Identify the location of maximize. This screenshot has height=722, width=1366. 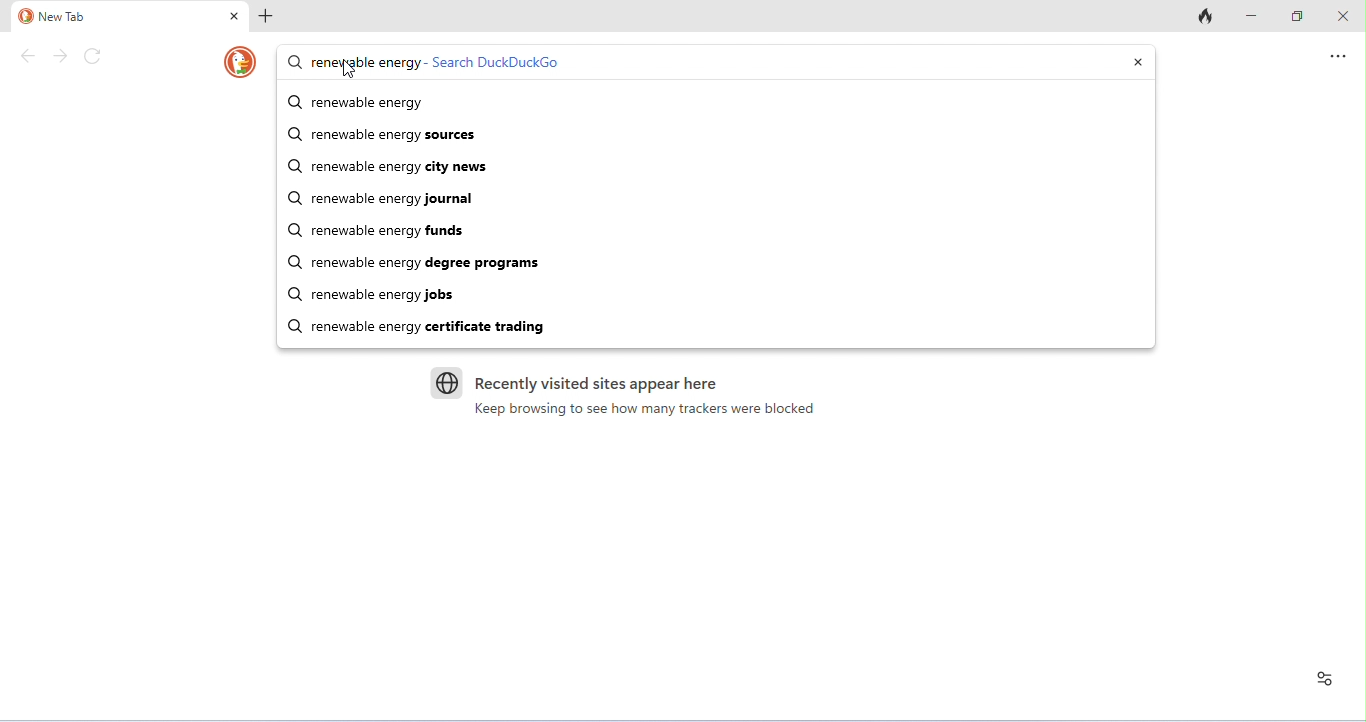
(1298, 15).